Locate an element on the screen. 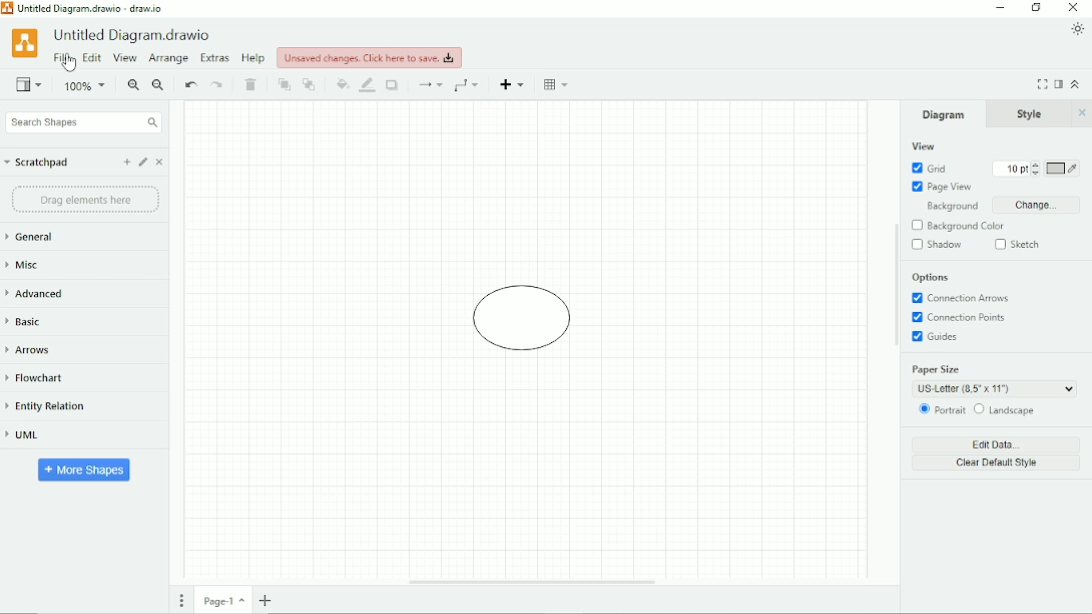 The image size is (1092, 614). Table is located at coordinates (558, 85).